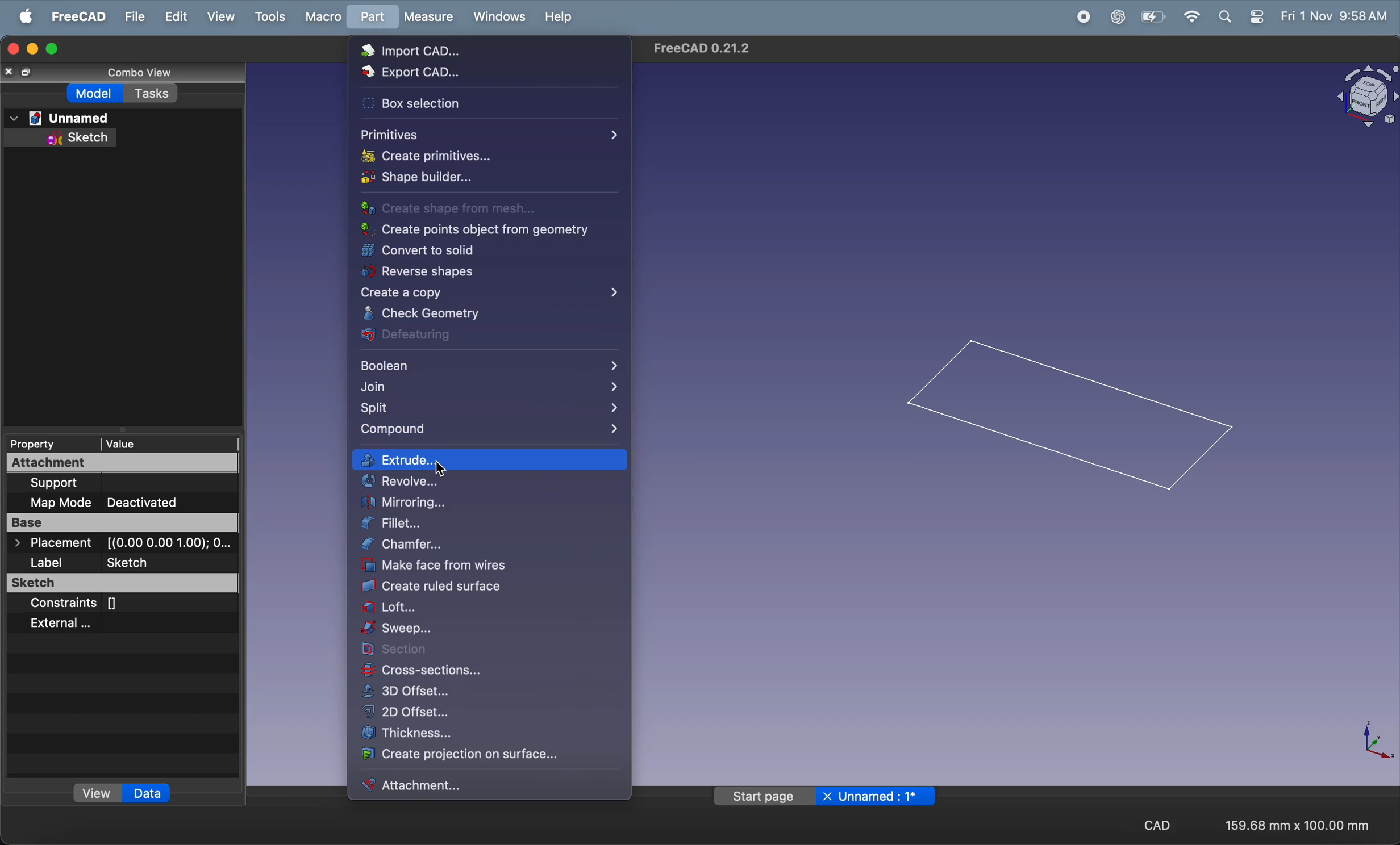 The width and height of the screenshot is (1400, 845). What do you see at coordinates (491, 735) in the screenshot?
I see `thickness` at bounding box center [491, 735].